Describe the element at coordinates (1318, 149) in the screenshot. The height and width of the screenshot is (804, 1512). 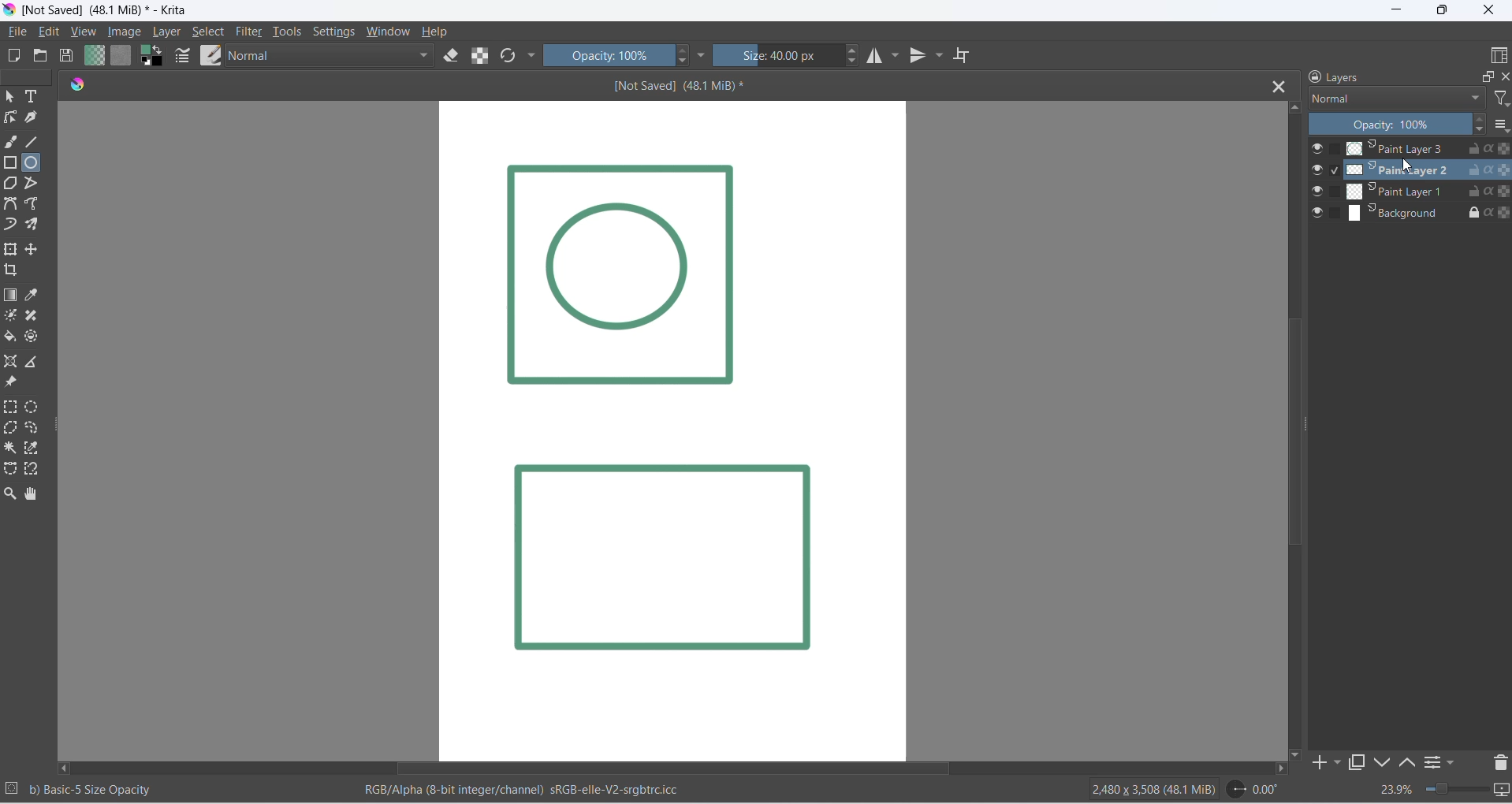
I see `visibility` at that location.